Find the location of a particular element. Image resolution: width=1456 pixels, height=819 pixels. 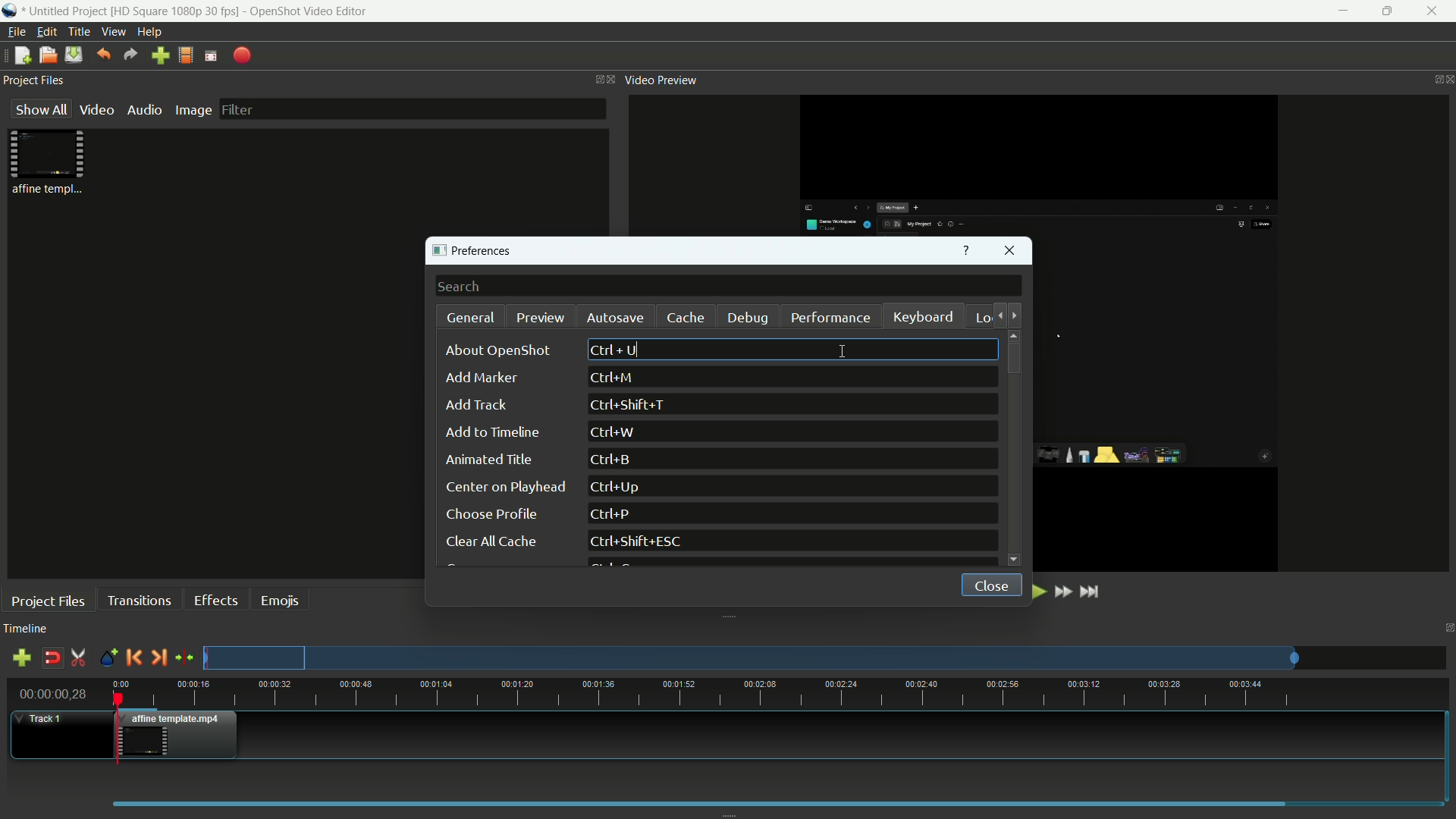

Ctrl+U is located at coordinates (615, 349).